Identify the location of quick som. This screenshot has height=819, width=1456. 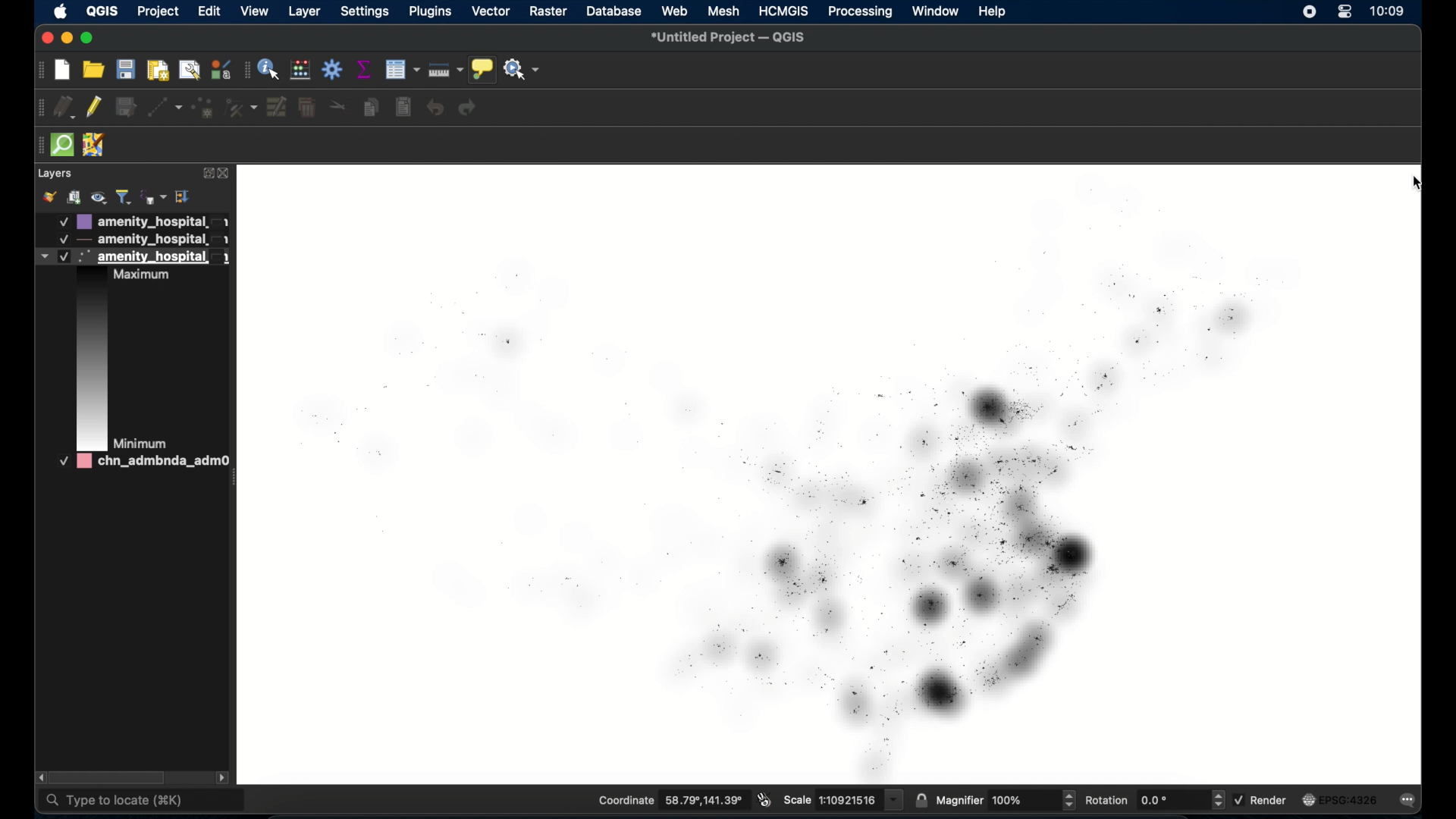
(64, 146).